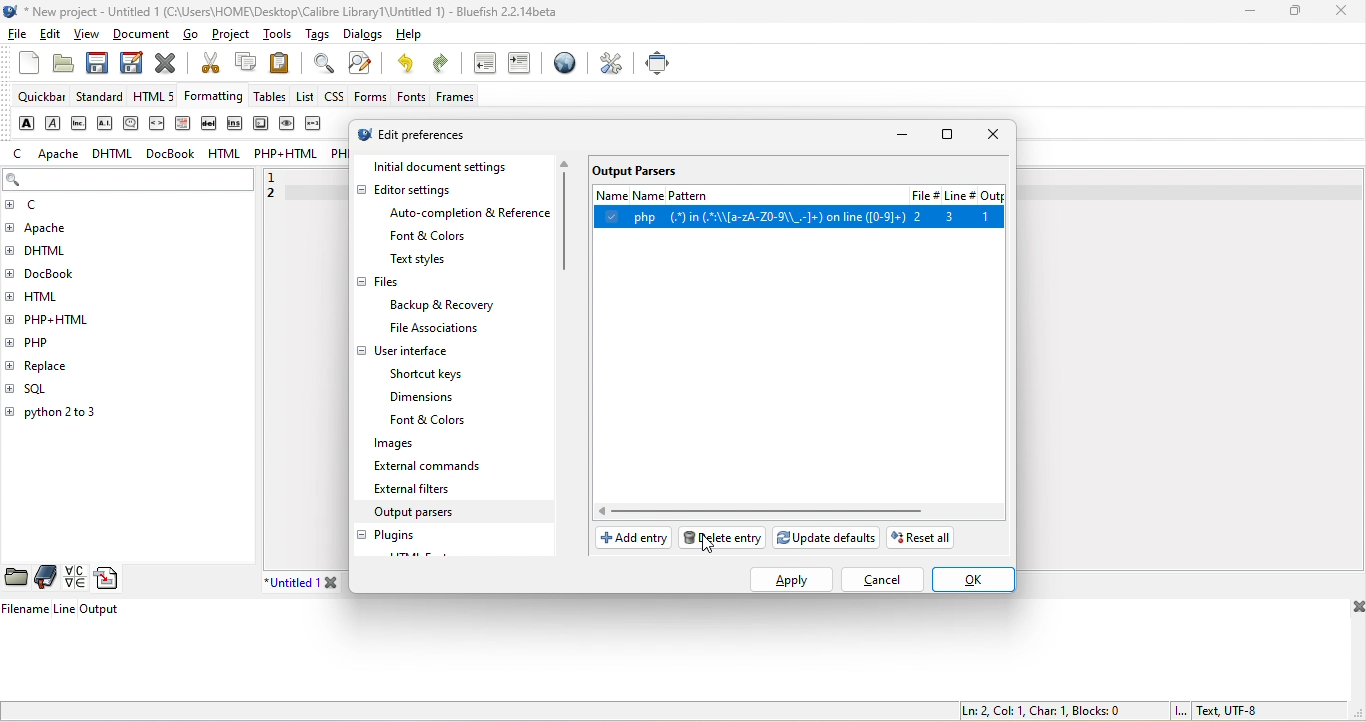 This screenshot has height=722, width=1366. What do you see at coordinates (315, 36) in the screenshot?
I see `tags` at bounding box center [315, 36].